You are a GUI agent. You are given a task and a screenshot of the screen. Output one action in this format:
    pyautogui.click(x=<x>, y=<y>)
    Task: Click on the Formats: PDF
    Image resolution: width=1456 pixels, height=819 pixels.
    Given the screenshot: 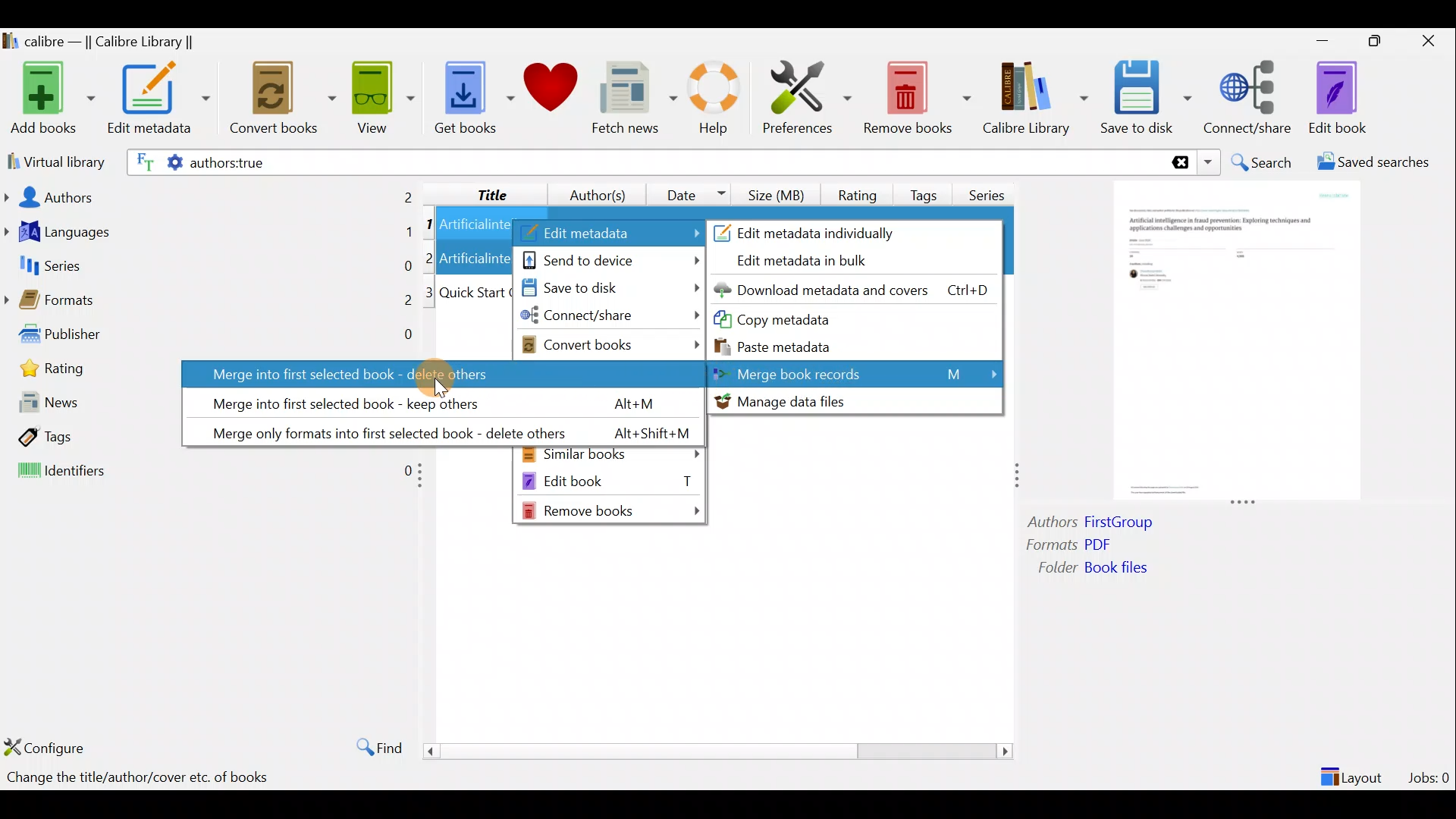 What is the action you would take?
    pyautogui.click(x=1090, y=547)
    